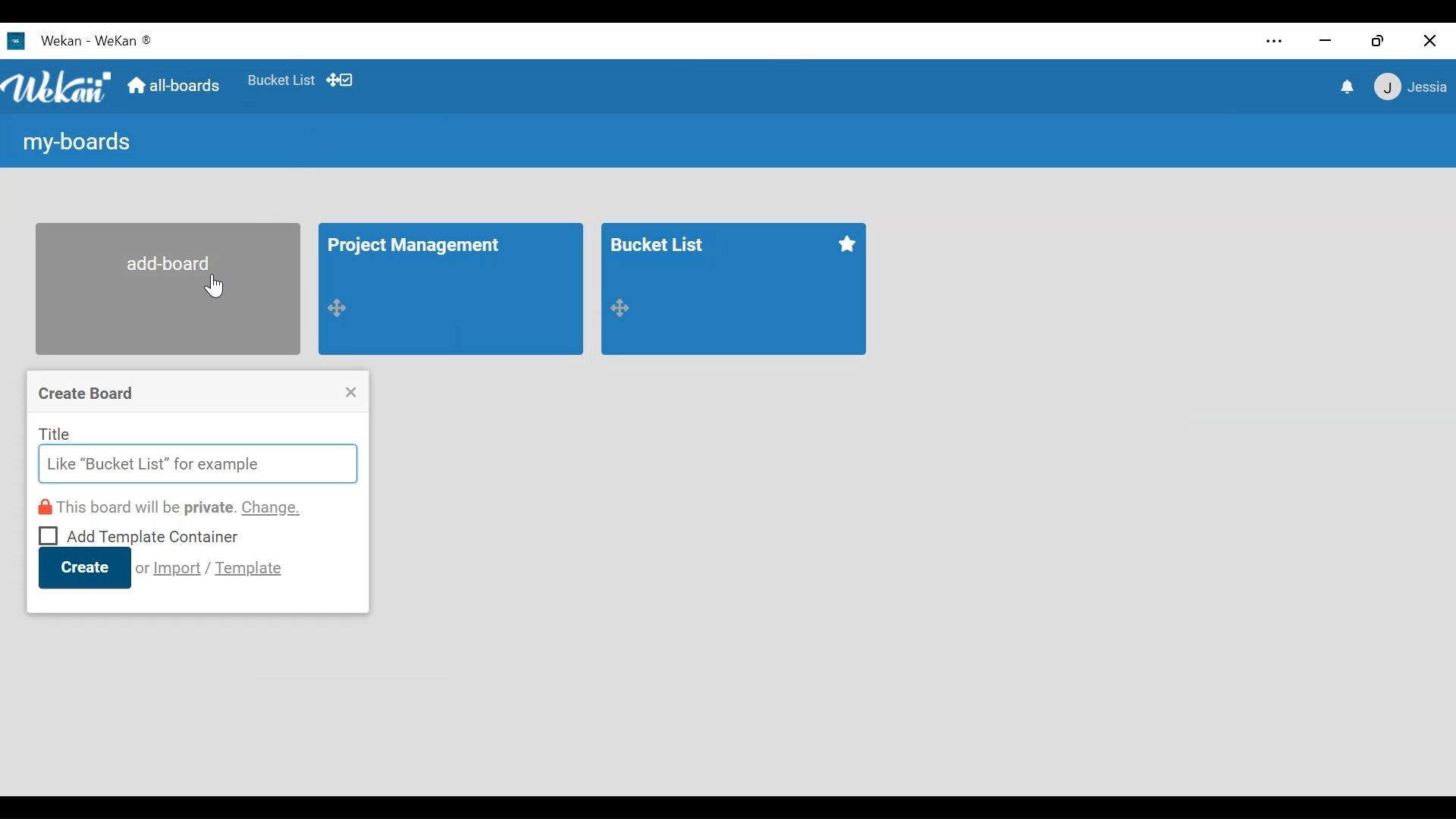 This screenshot has height=819, width=1456. I want to click on Desktop drag handle, so click(340, 306).